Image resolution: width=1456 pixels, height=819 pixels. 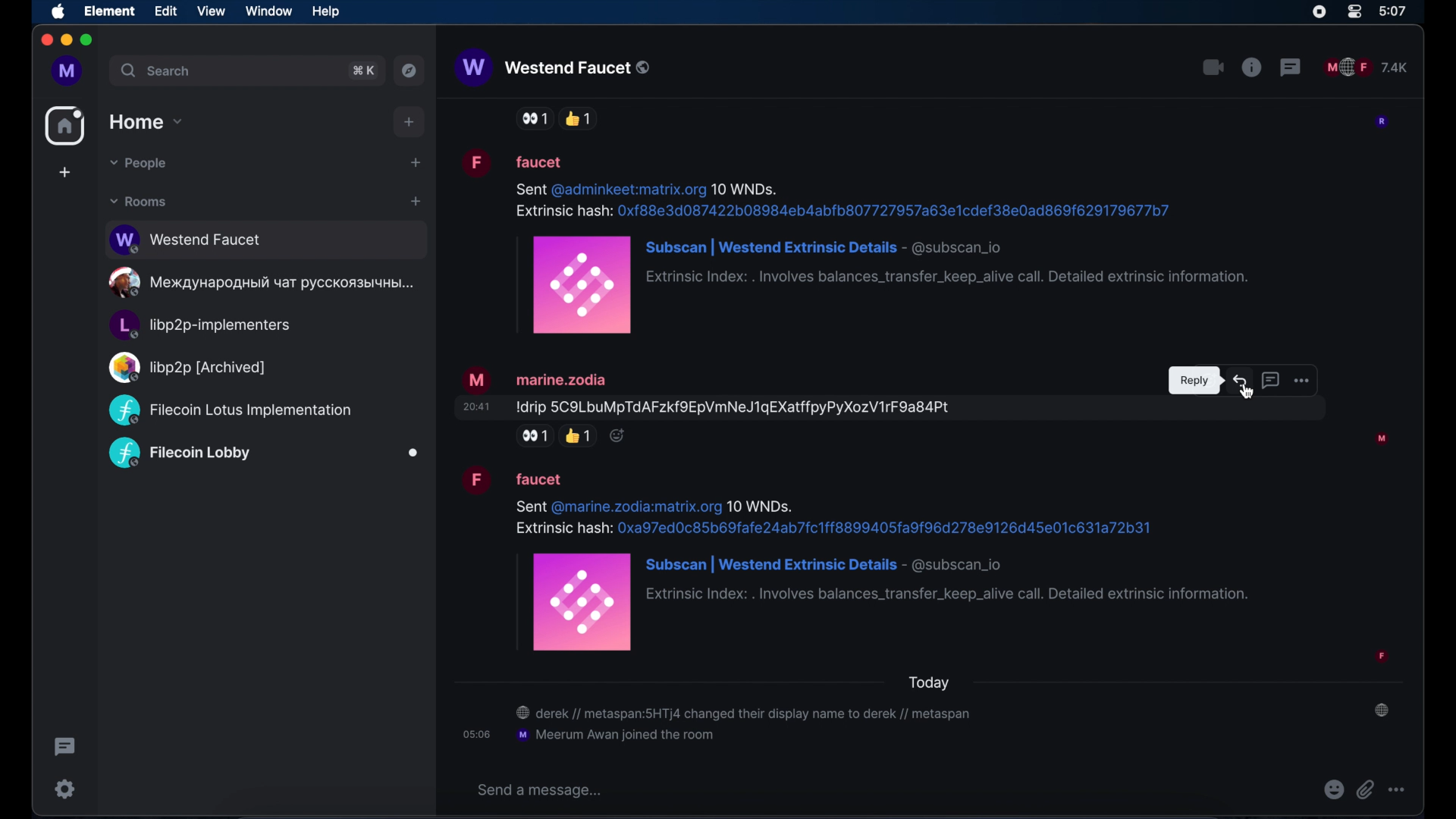 I want to click on participant profile picture, so click(x=1381, y=122).